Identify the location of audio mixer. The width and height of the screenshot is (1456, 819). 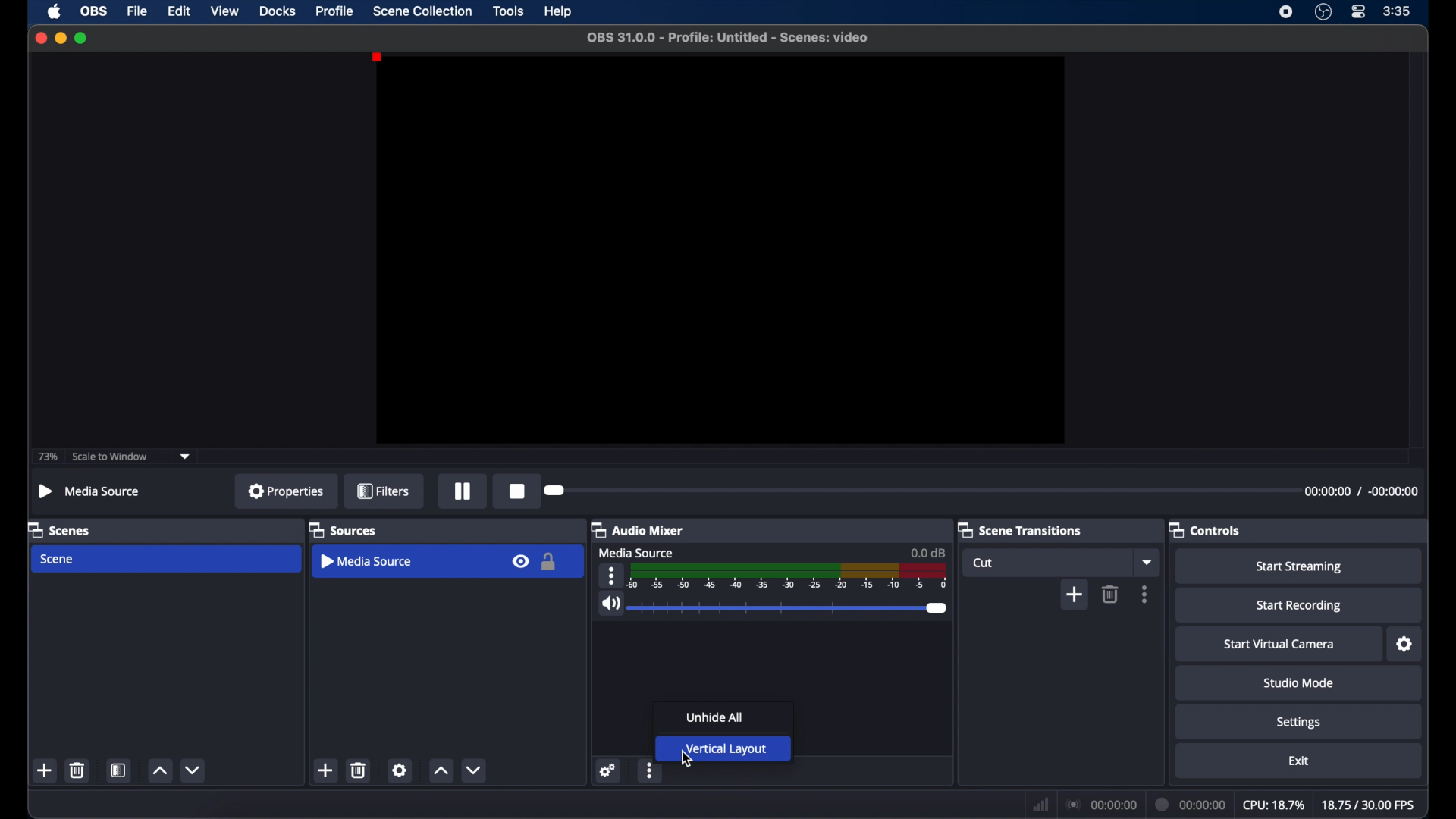
(636, 529).